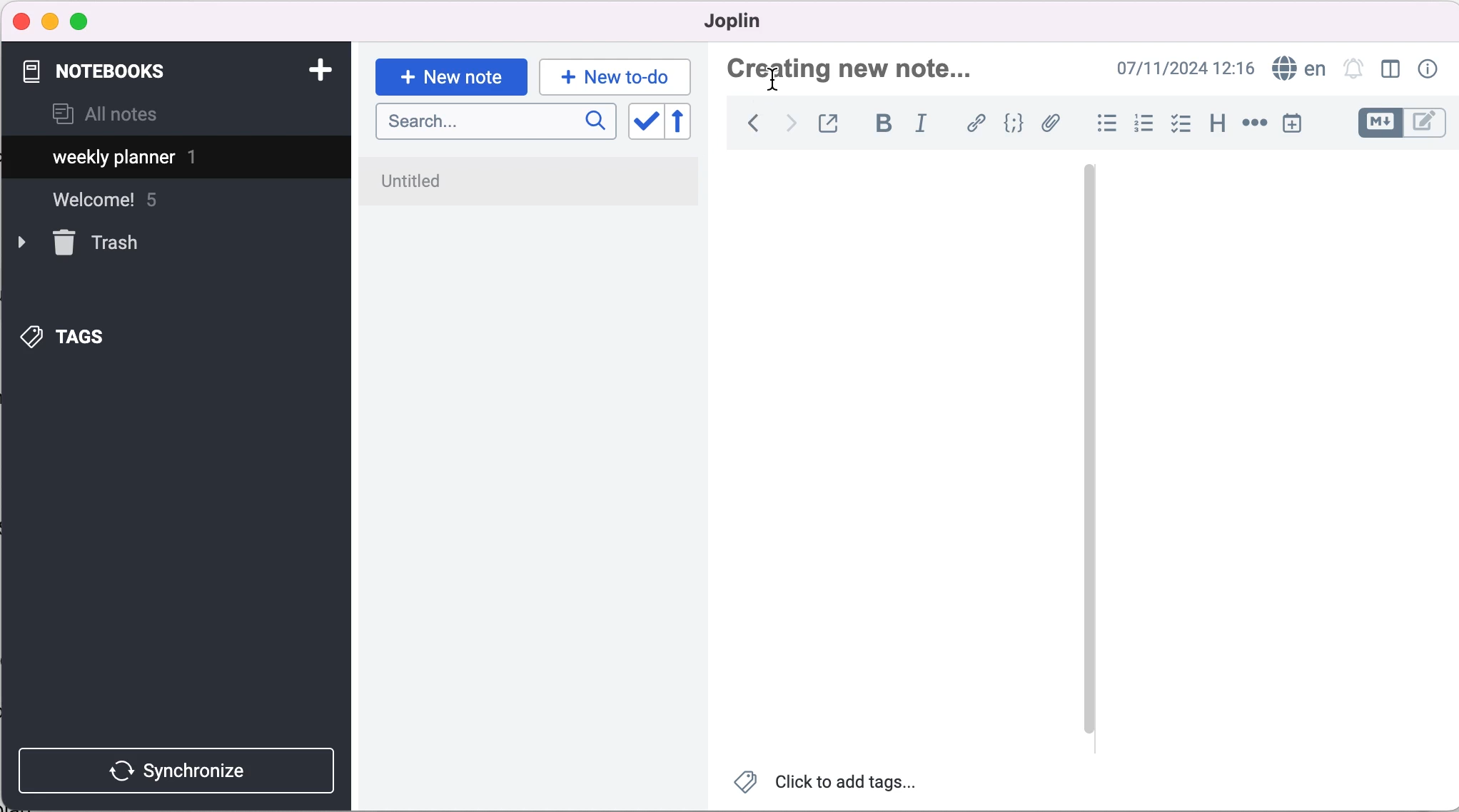 The width and height of the screenshot is (1459, 812). What do you see at coordinates (474, 177) in the screenshot?
I see `joplin privacy policy` at bounding box center [474, 177].